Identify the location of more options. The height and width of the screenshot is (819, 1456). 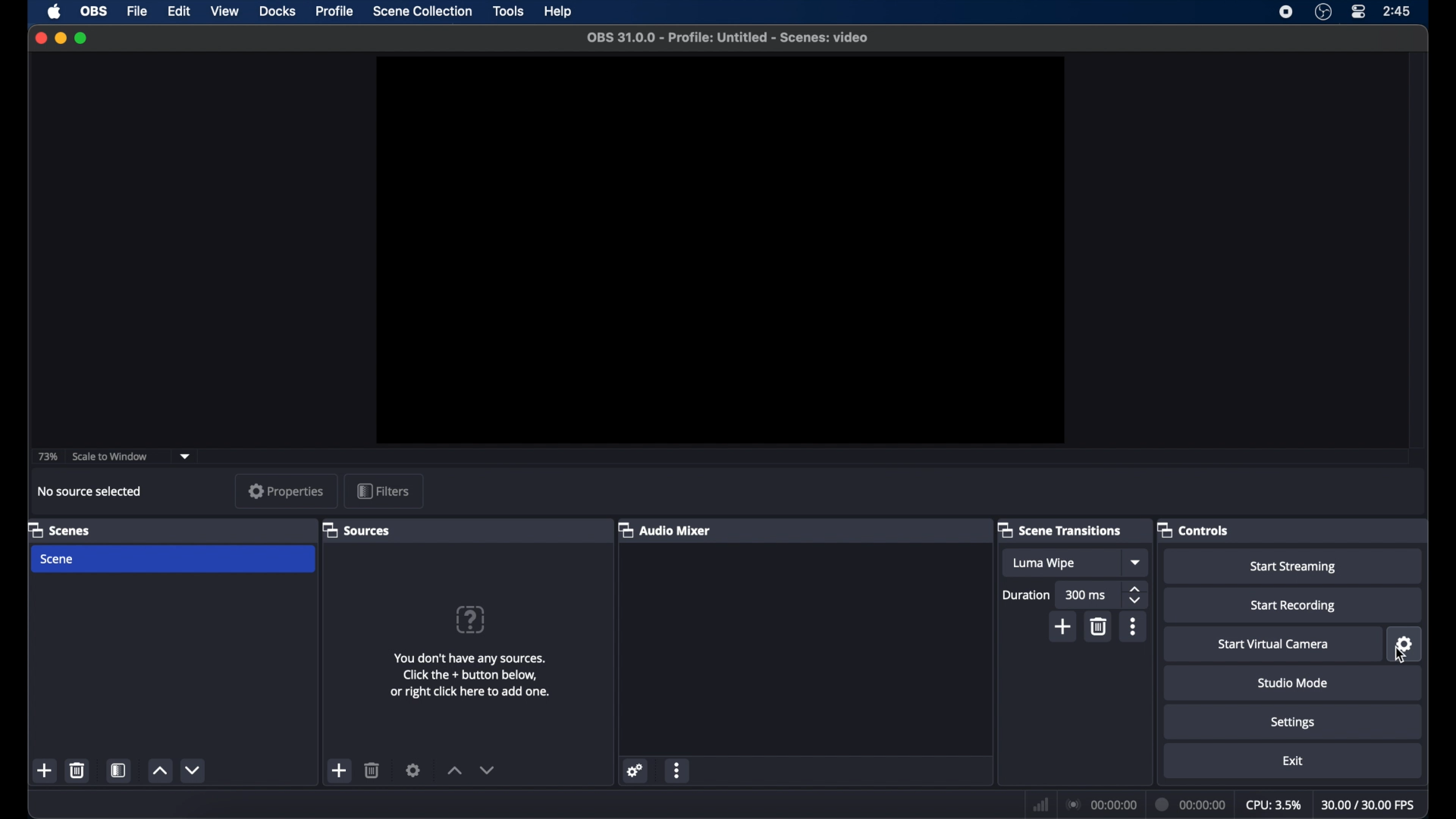
(678, 770).